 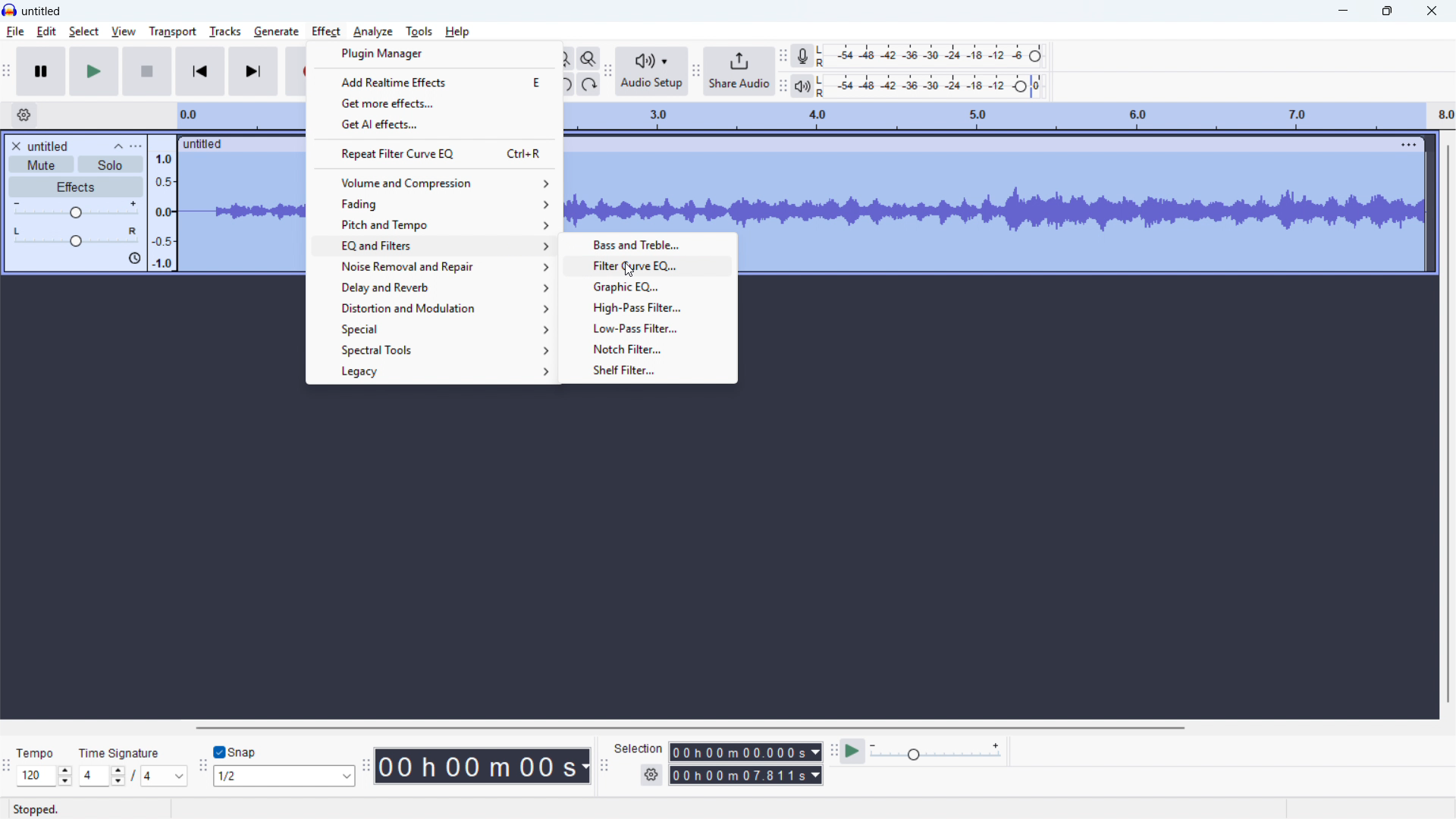 I want to click on edit, so click(x=46, y=32).